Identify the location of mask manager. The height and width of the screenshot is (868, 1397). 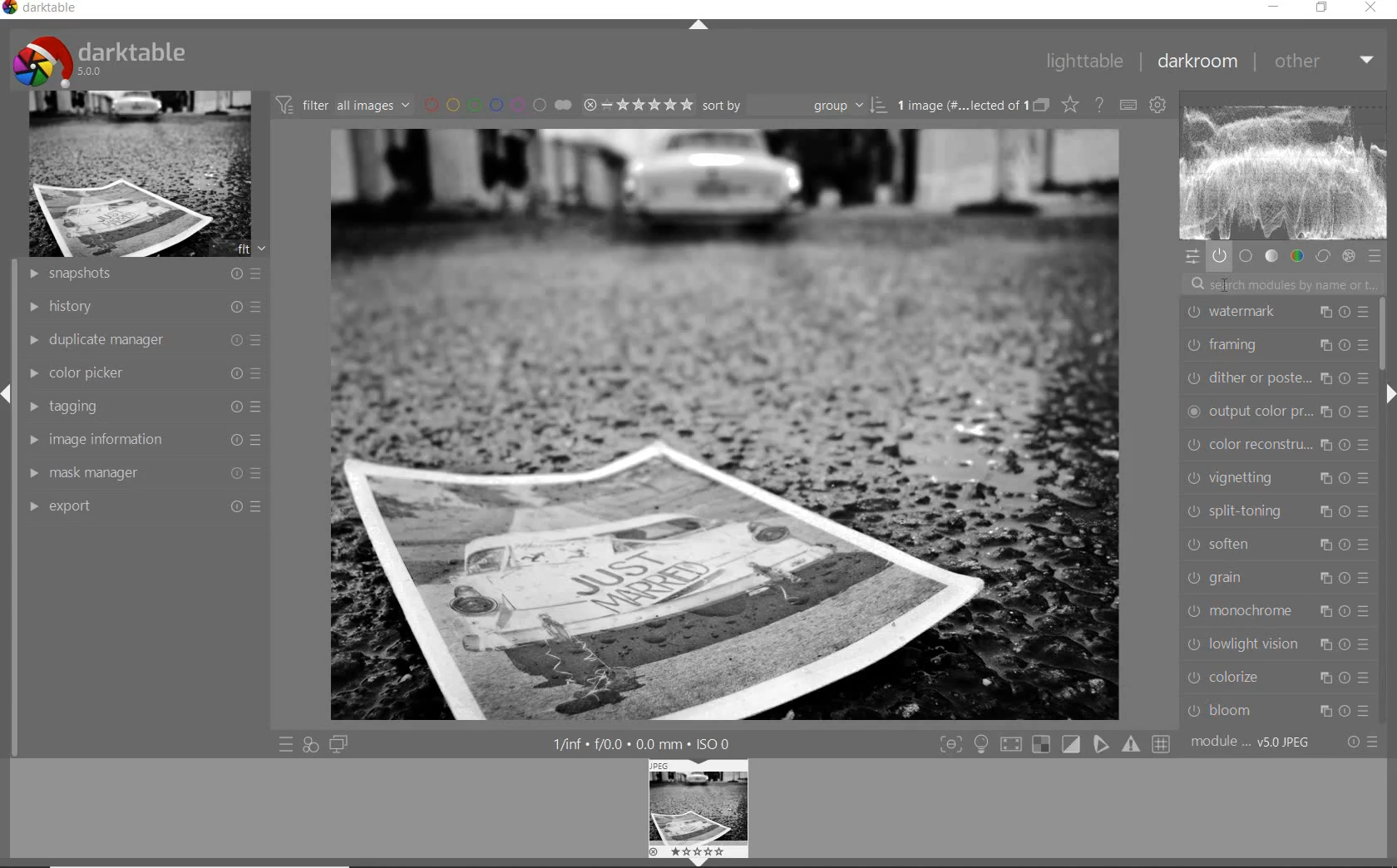
(146, 471).